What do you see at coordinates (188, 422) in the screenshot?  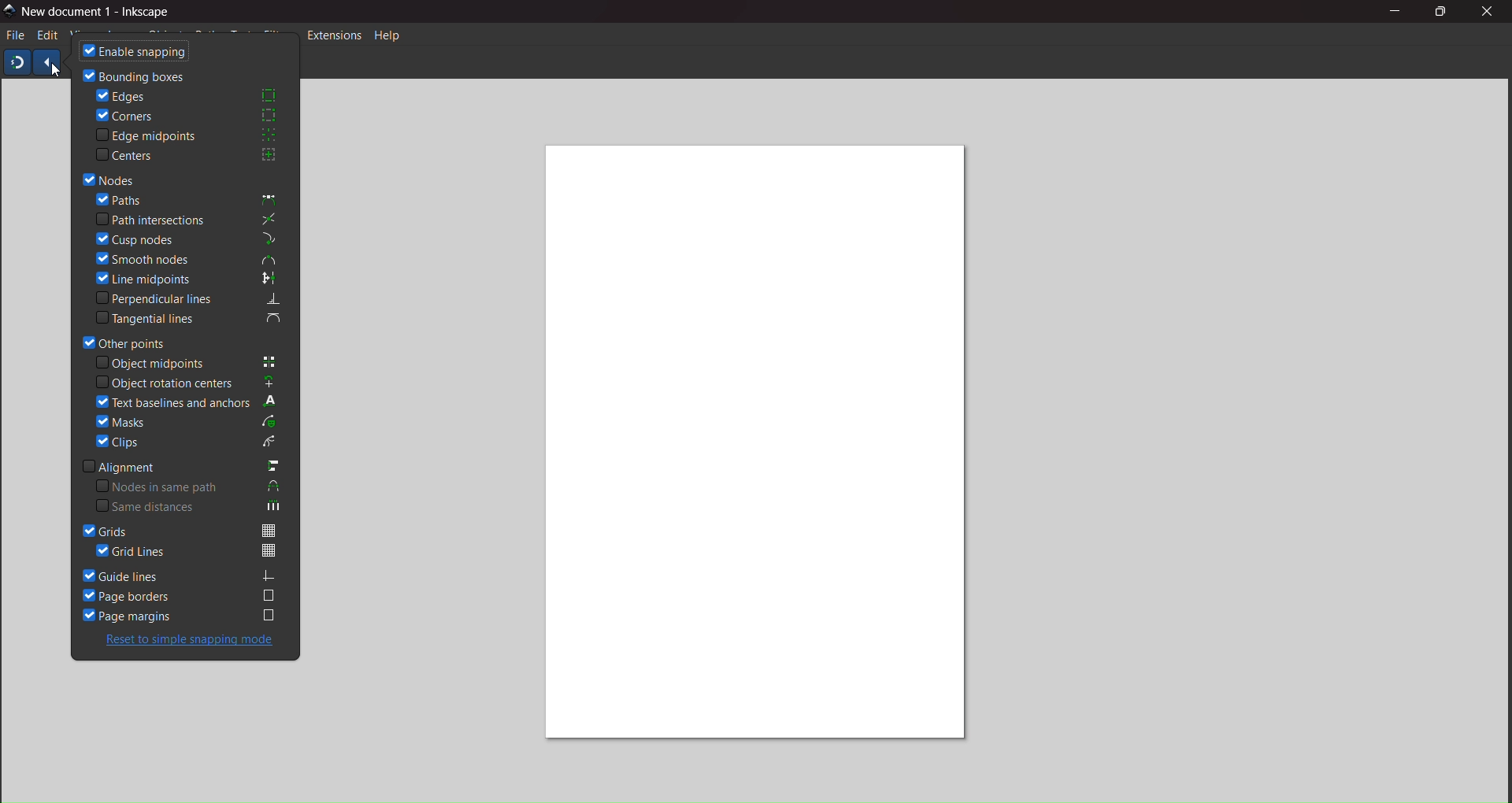 I see `masks` at bounding box center [188, 422].